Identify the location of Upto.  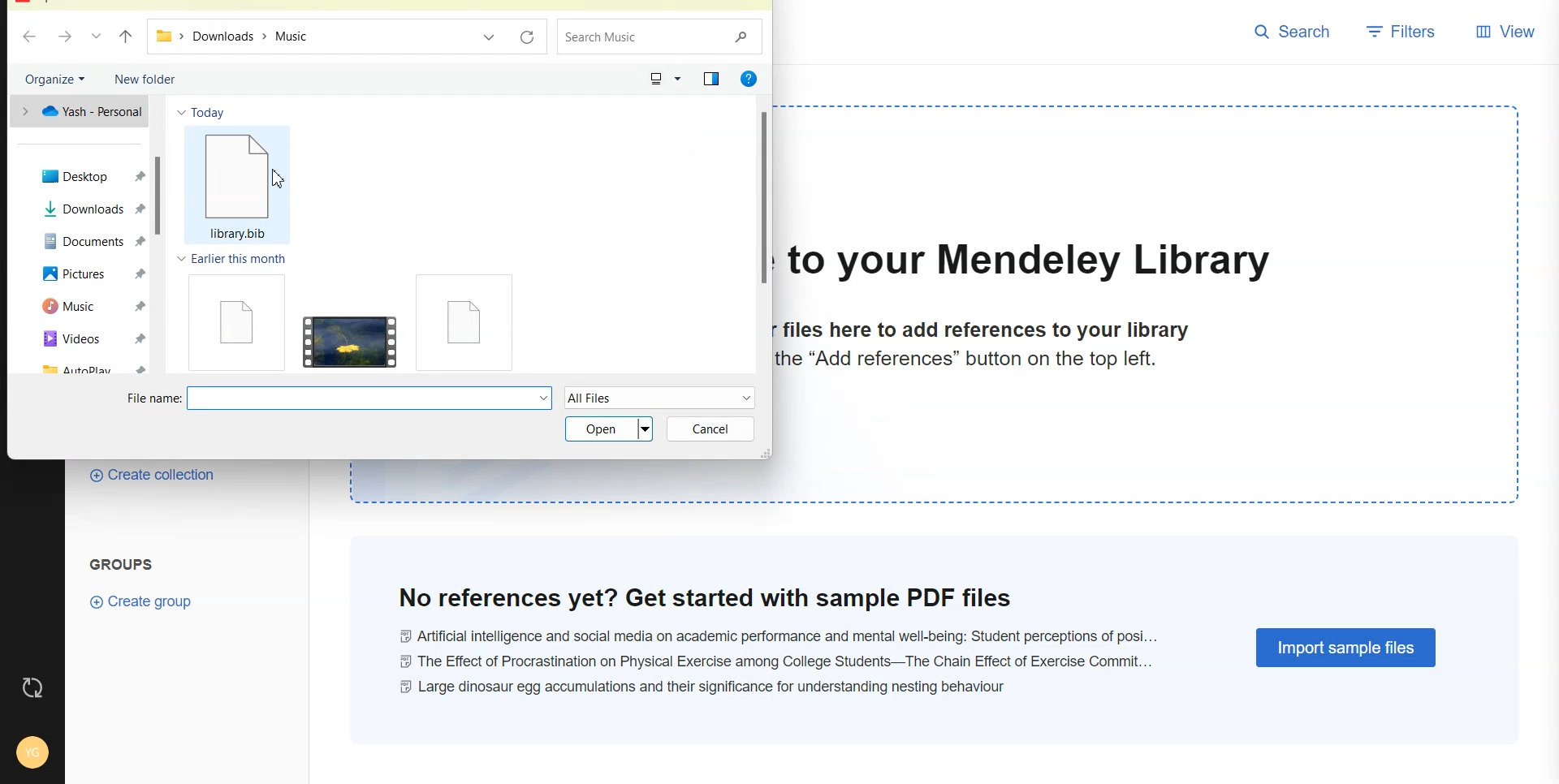
(127, 36).